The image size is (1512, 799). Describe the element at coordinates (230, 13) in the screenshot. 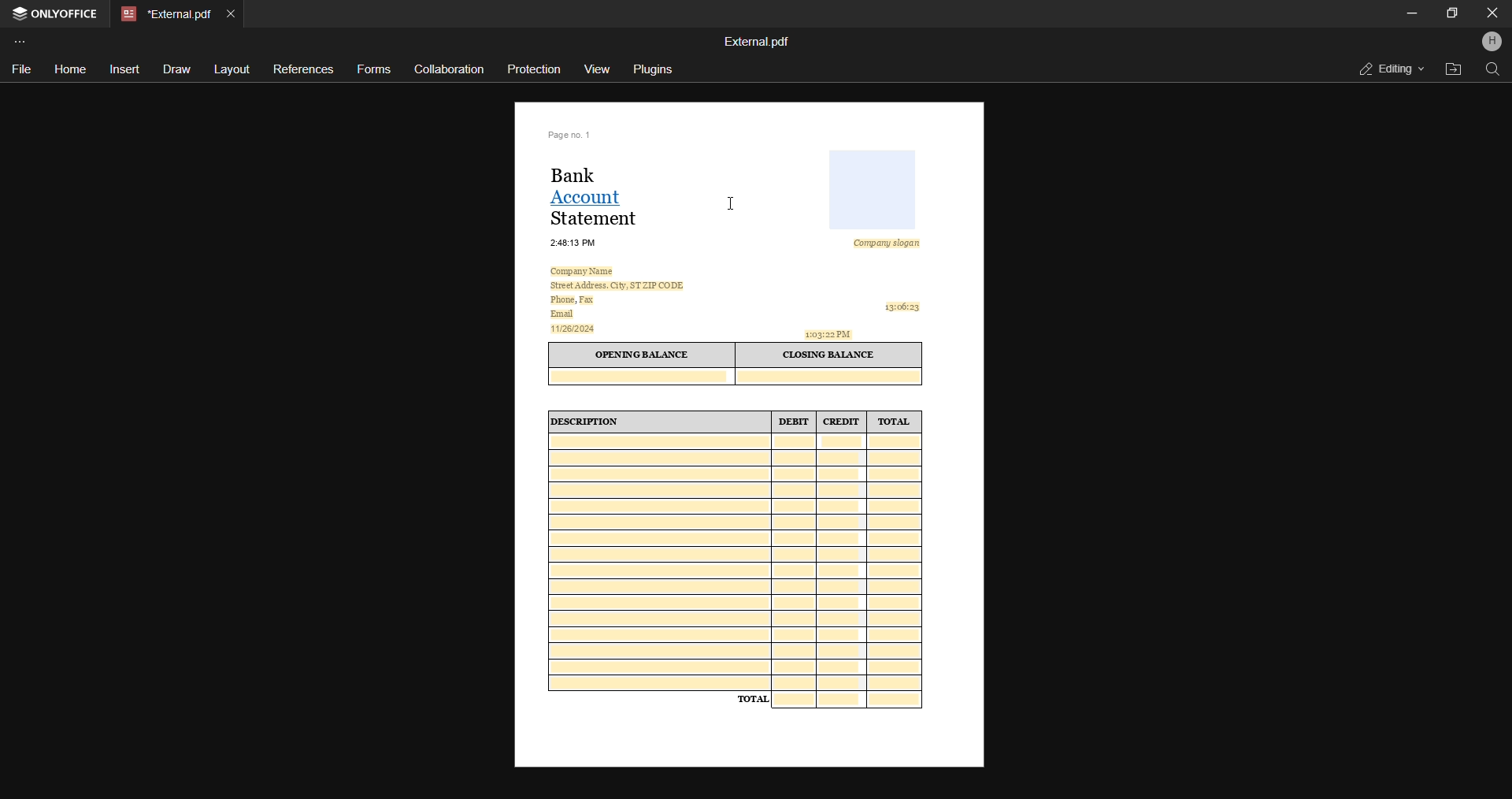

I see `close current tab` at that location.